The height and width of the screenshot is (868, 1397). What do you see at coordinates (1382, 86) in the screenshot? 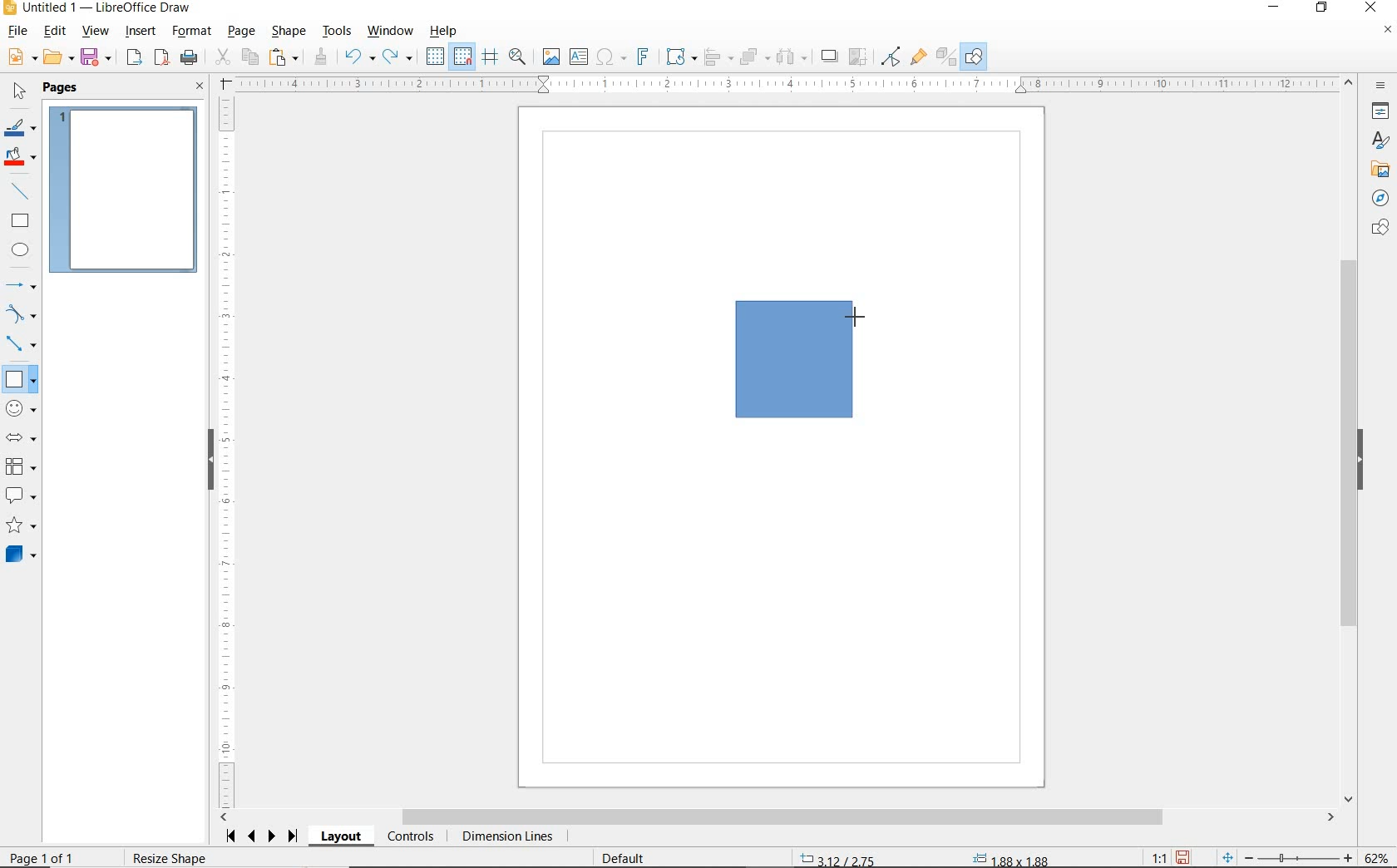
I see `SIDEBAR SETTINGS` at bounding box center [1382, 86].